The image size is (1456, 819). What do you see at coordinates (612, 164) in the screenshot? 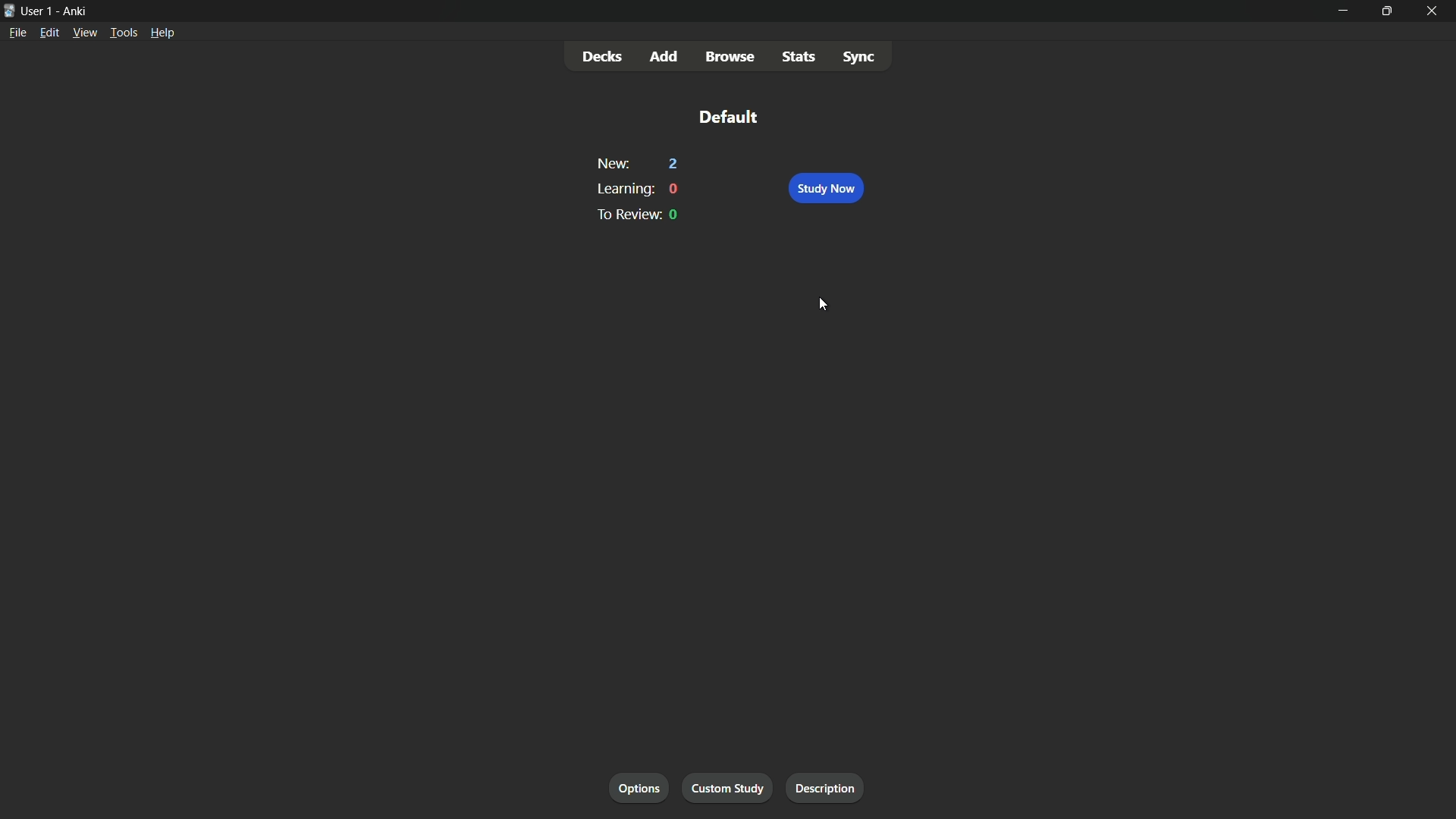
I see `new` at bounding box center [612, 164].